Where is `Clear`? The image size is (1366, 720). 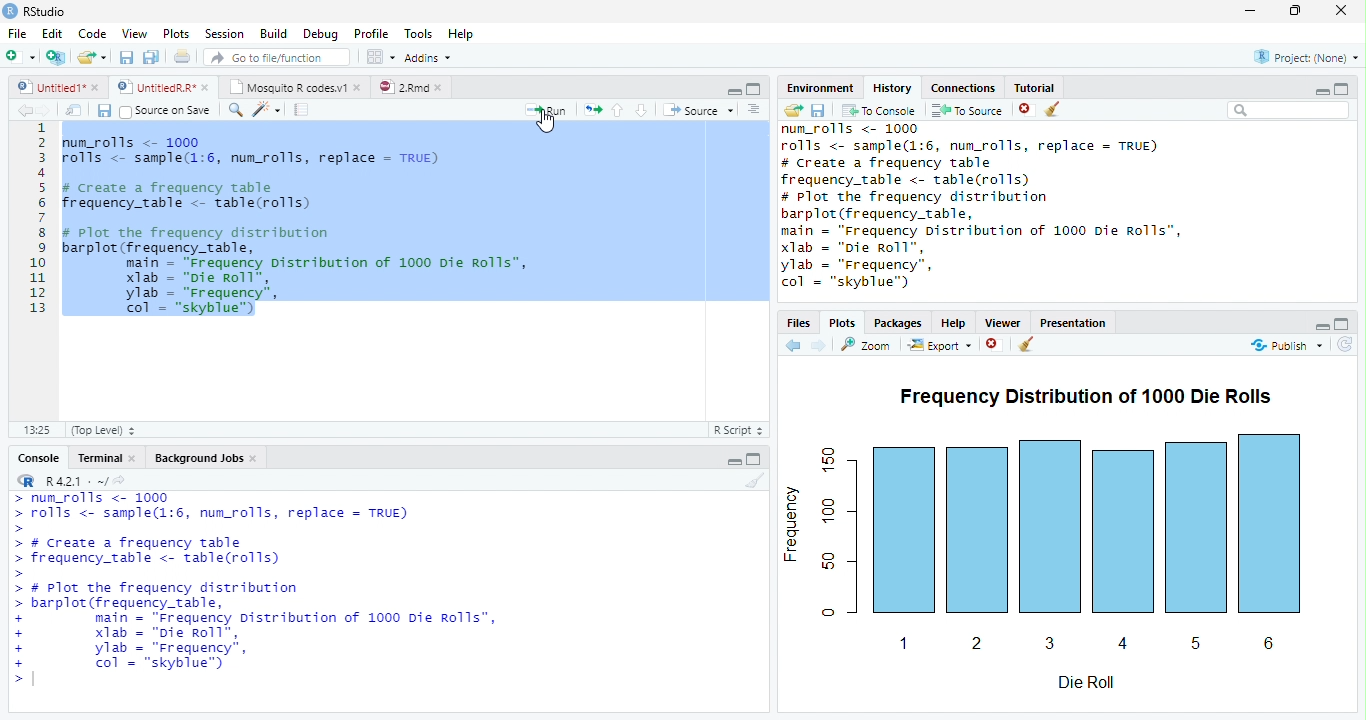 Clear is located at coordinates (1053, 109).